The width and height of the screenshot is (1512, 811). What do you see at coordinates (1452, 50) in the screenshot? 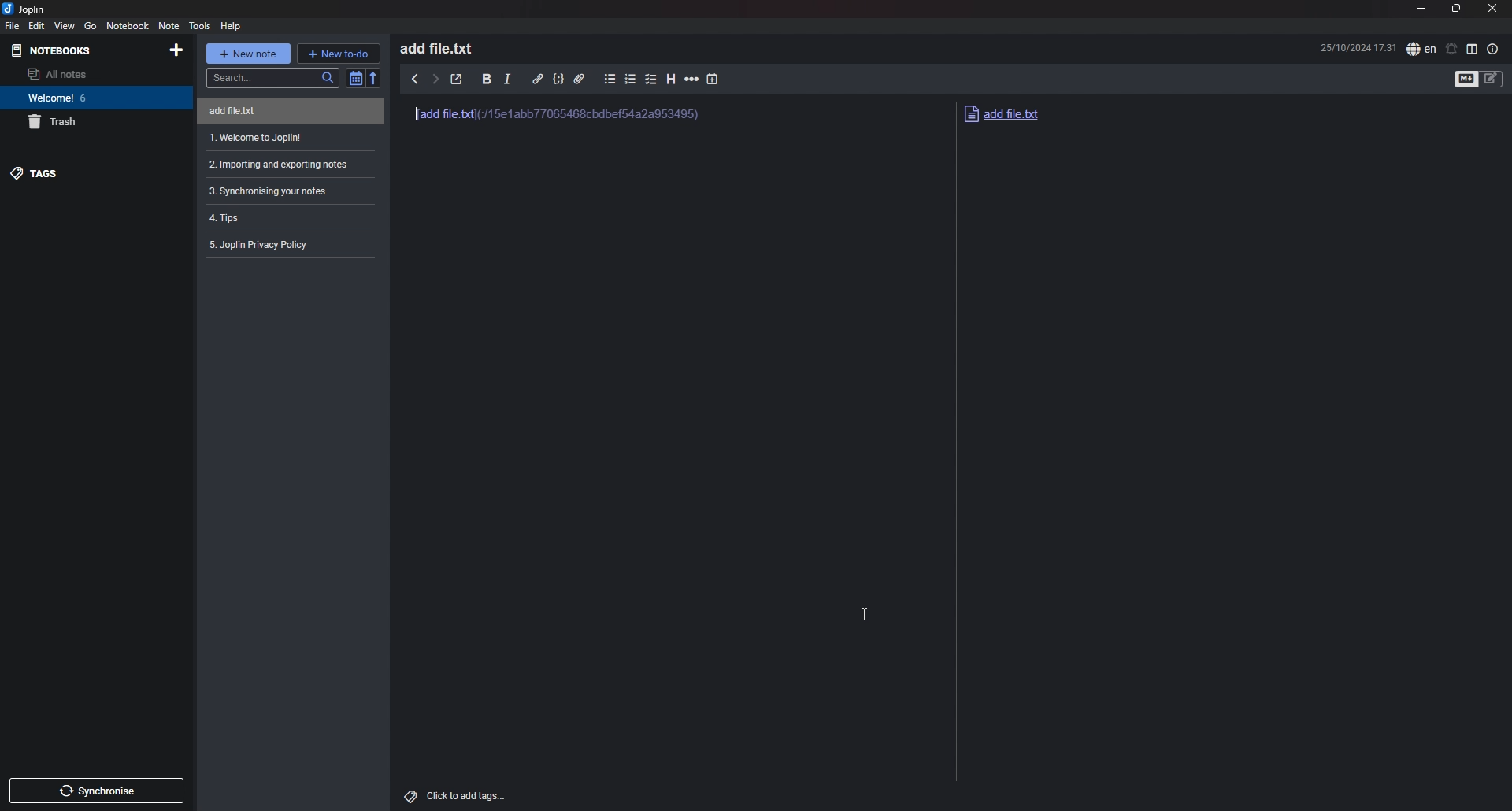
I see `set alarm` at bounding box center [1452, 50].